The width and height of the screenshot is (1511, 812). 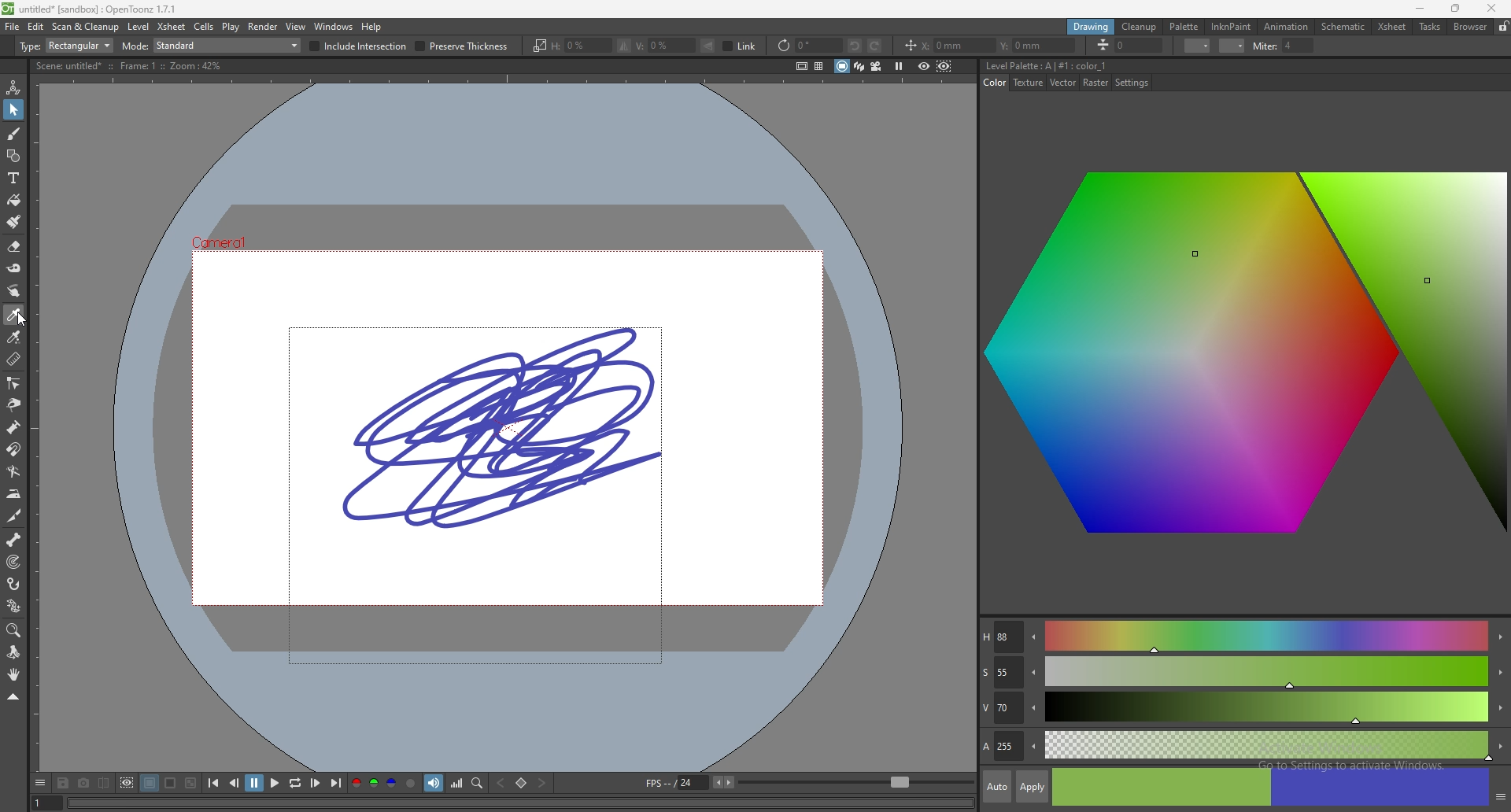 What do you see at coordinates (855, 46) in the screenshot?
I see `rotate selection left` at bounding box center [855, 46].